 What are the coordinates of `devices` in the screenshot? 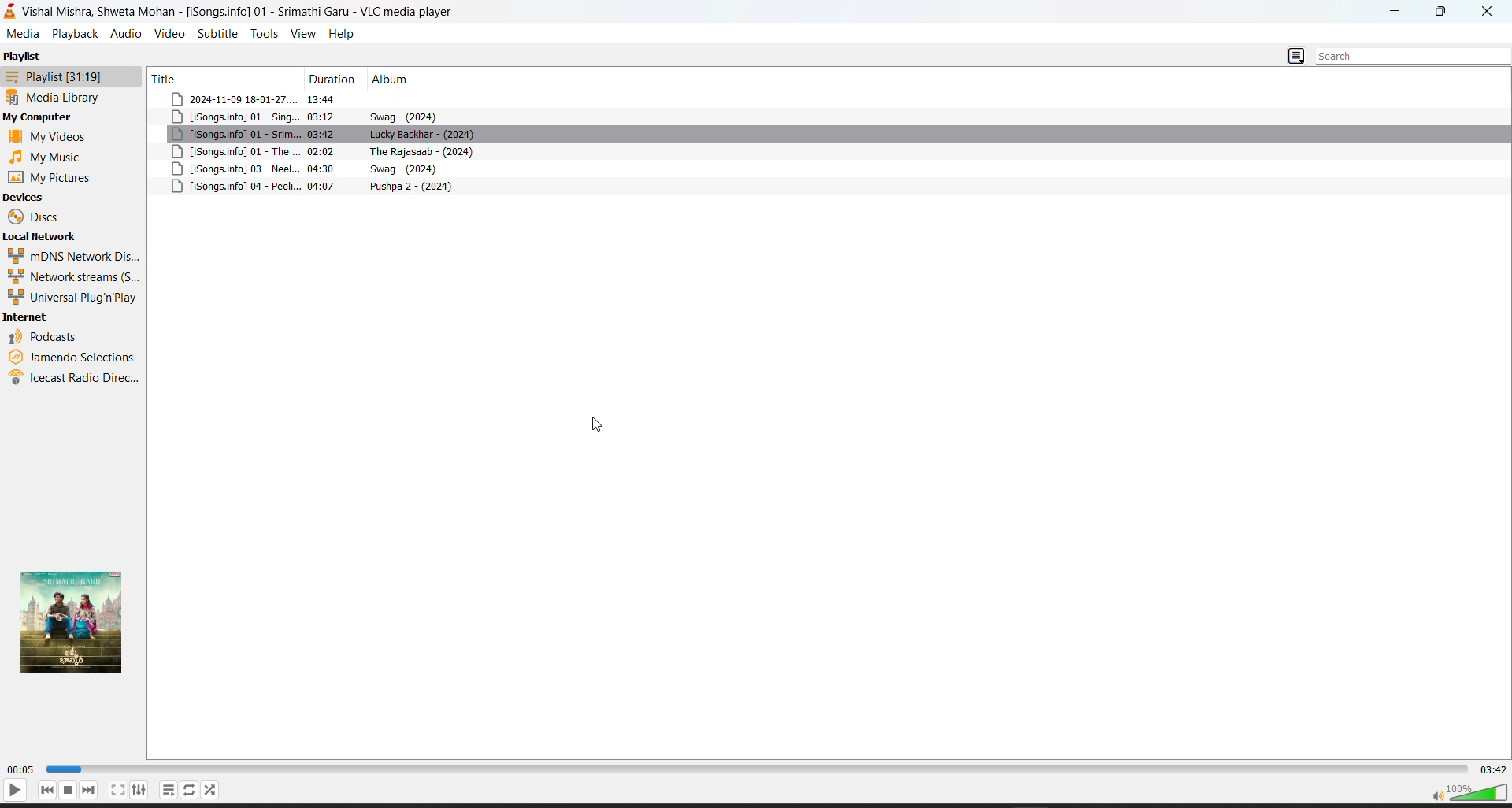 It's located at (25, 198).